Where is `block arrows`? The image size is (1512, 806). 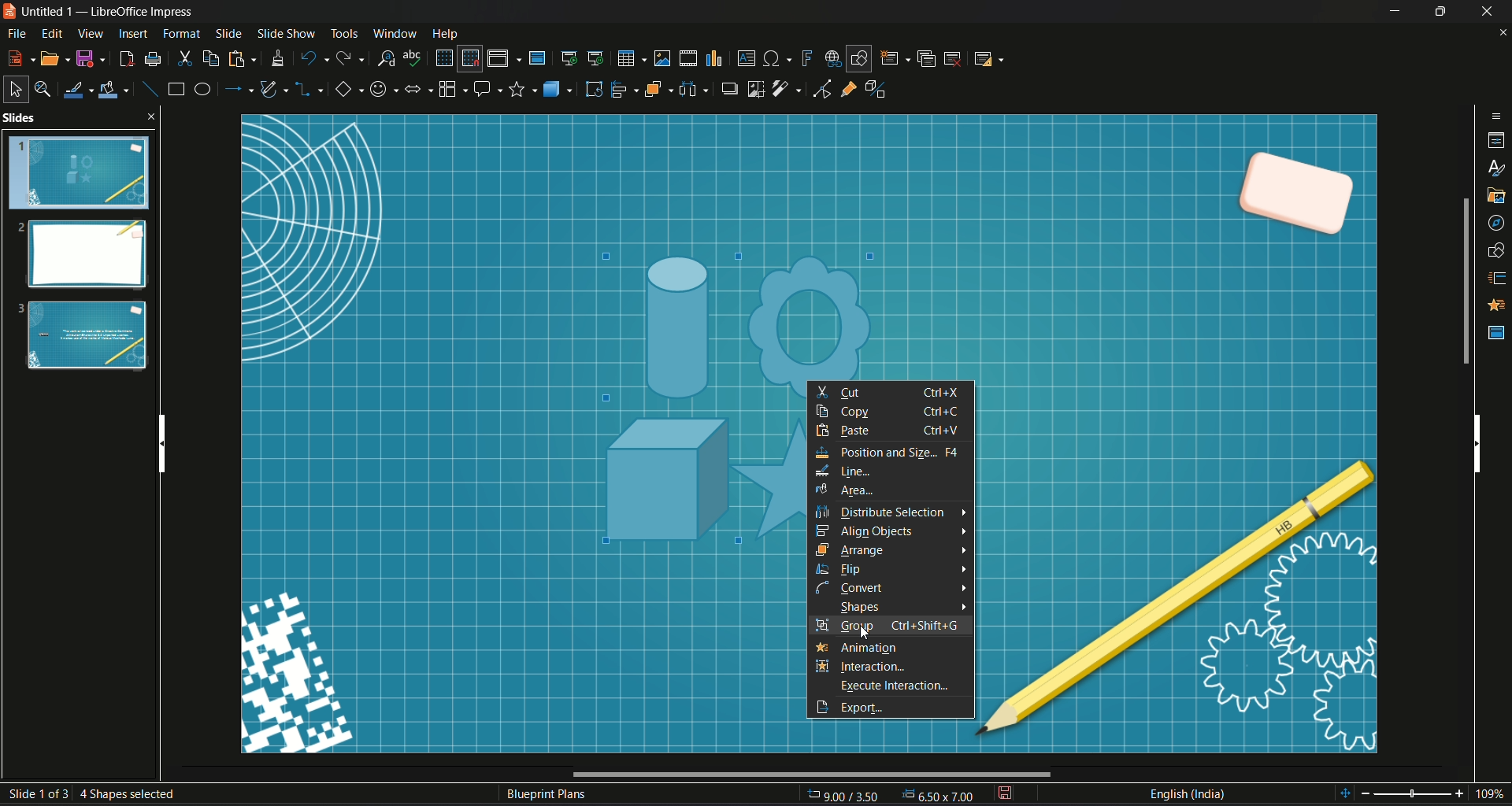 block arrows is located at coordinates (417, 91).